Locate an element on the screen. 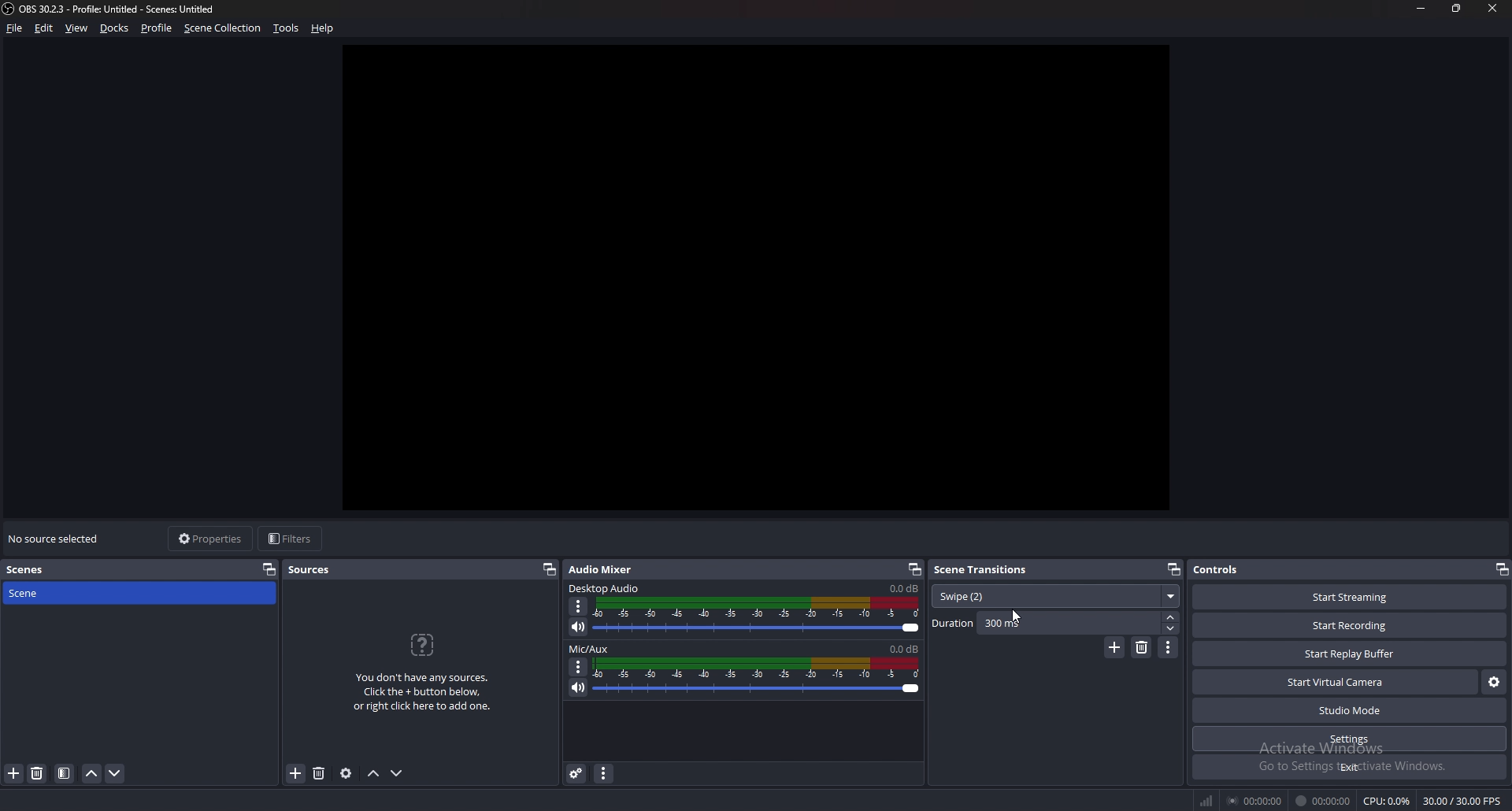  tools is located at coordinates (287, 28).